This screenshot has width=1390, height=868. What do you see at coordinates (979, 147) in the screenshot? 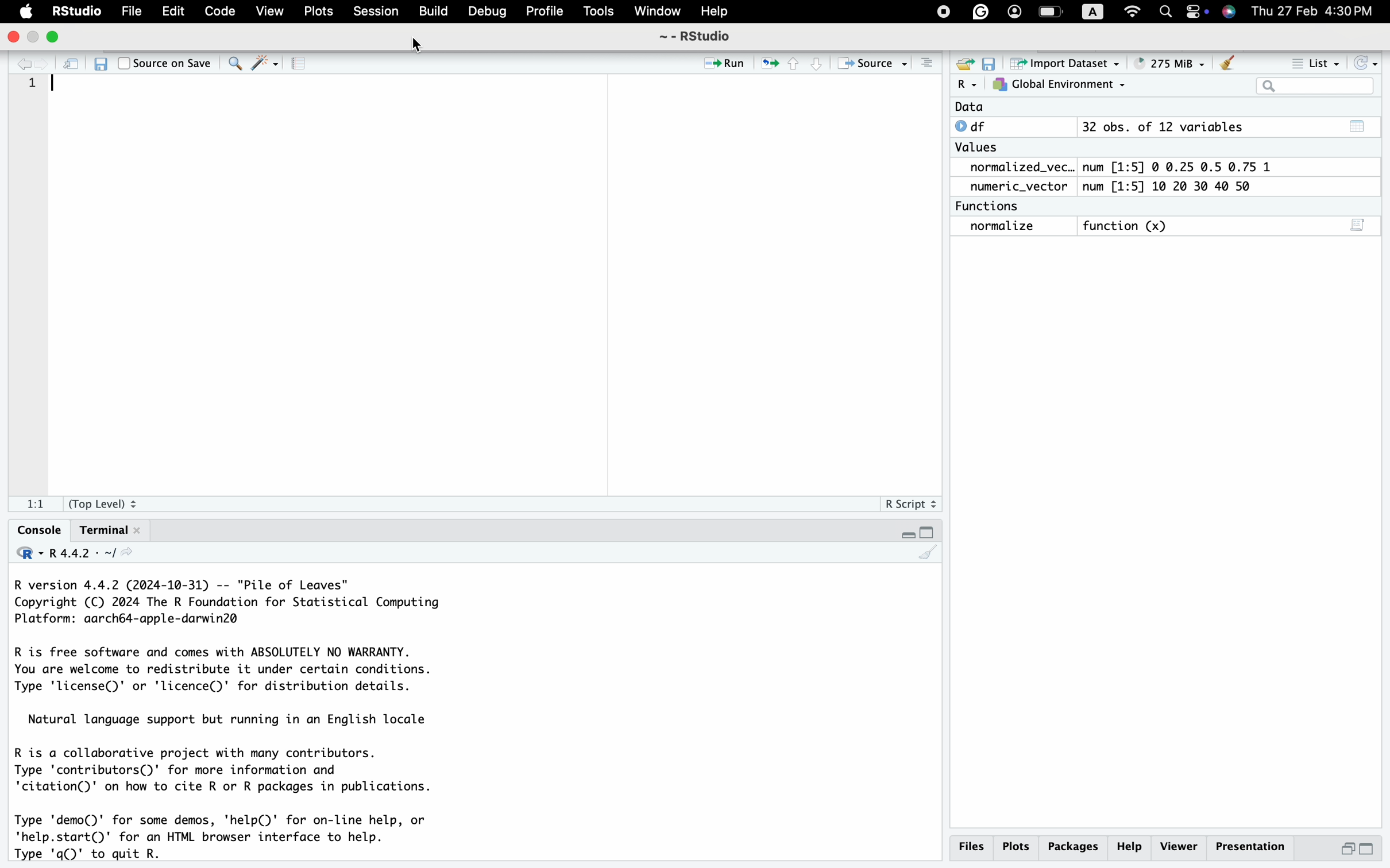
I see `values` at bounding box center [979, 147].